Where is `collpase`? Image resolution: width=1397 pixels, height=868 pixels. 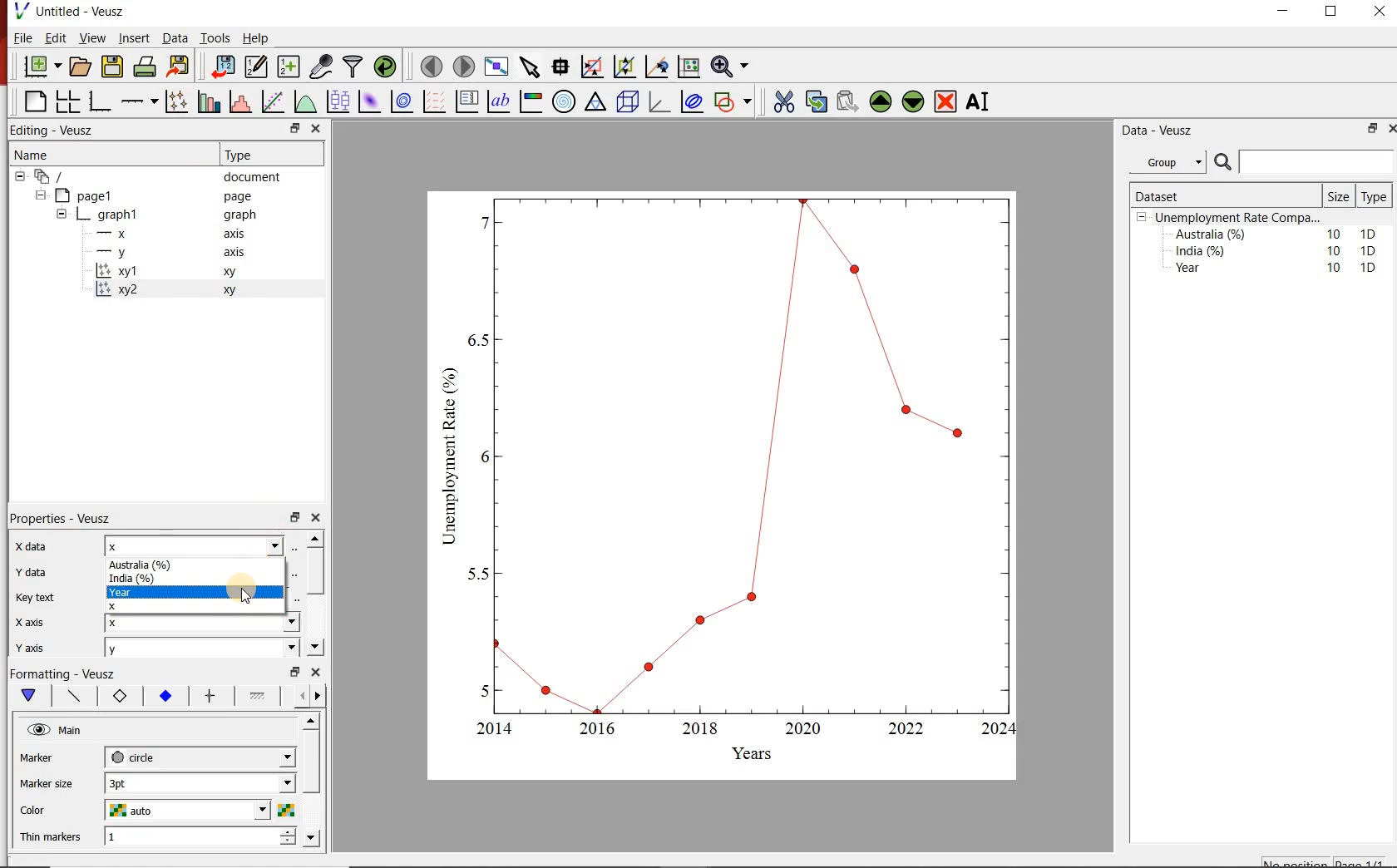 collpase is located at coordinates (1142, 218).